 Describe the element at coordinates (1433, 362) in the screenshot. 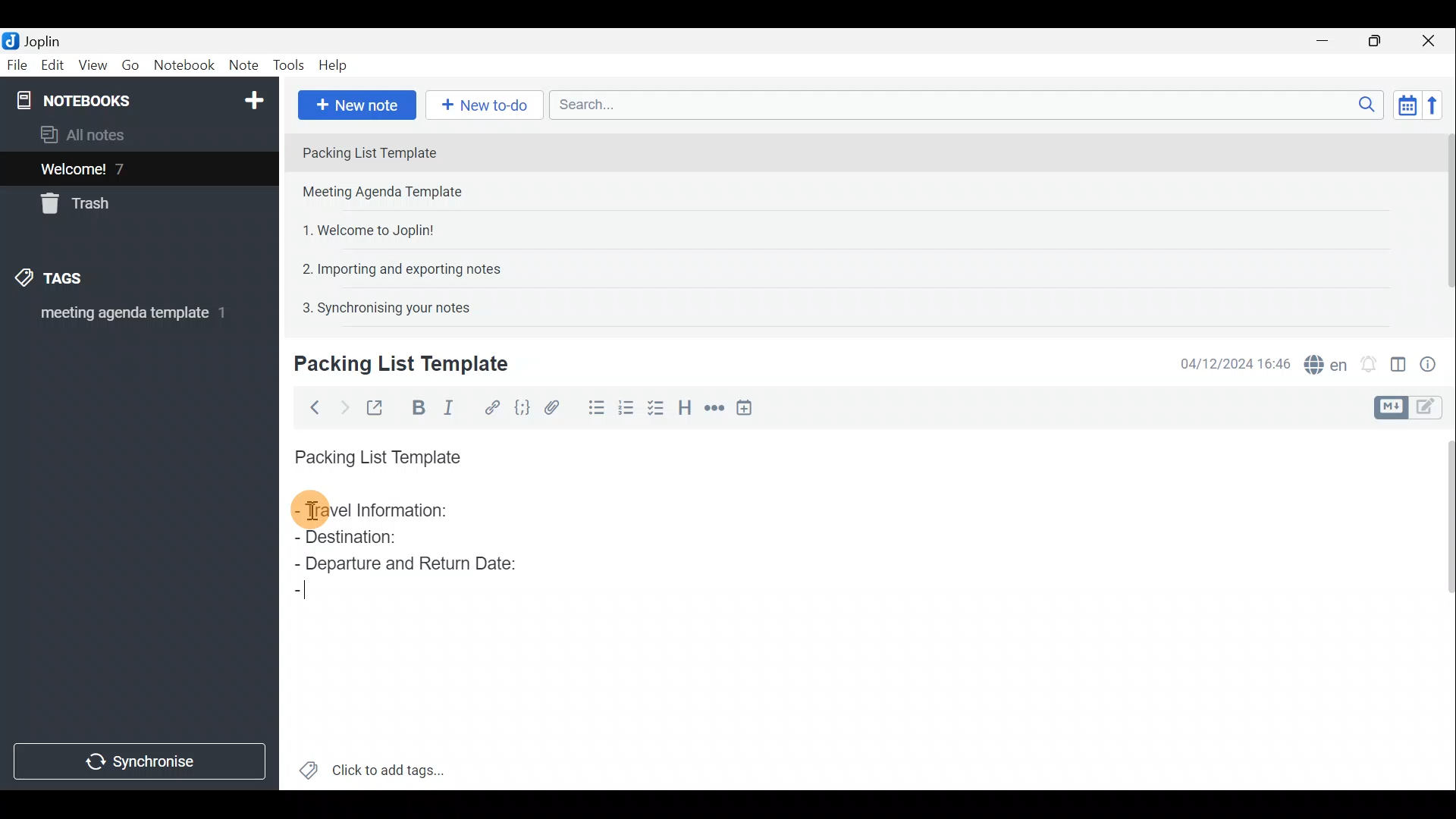

I see `Note properties` at that location.